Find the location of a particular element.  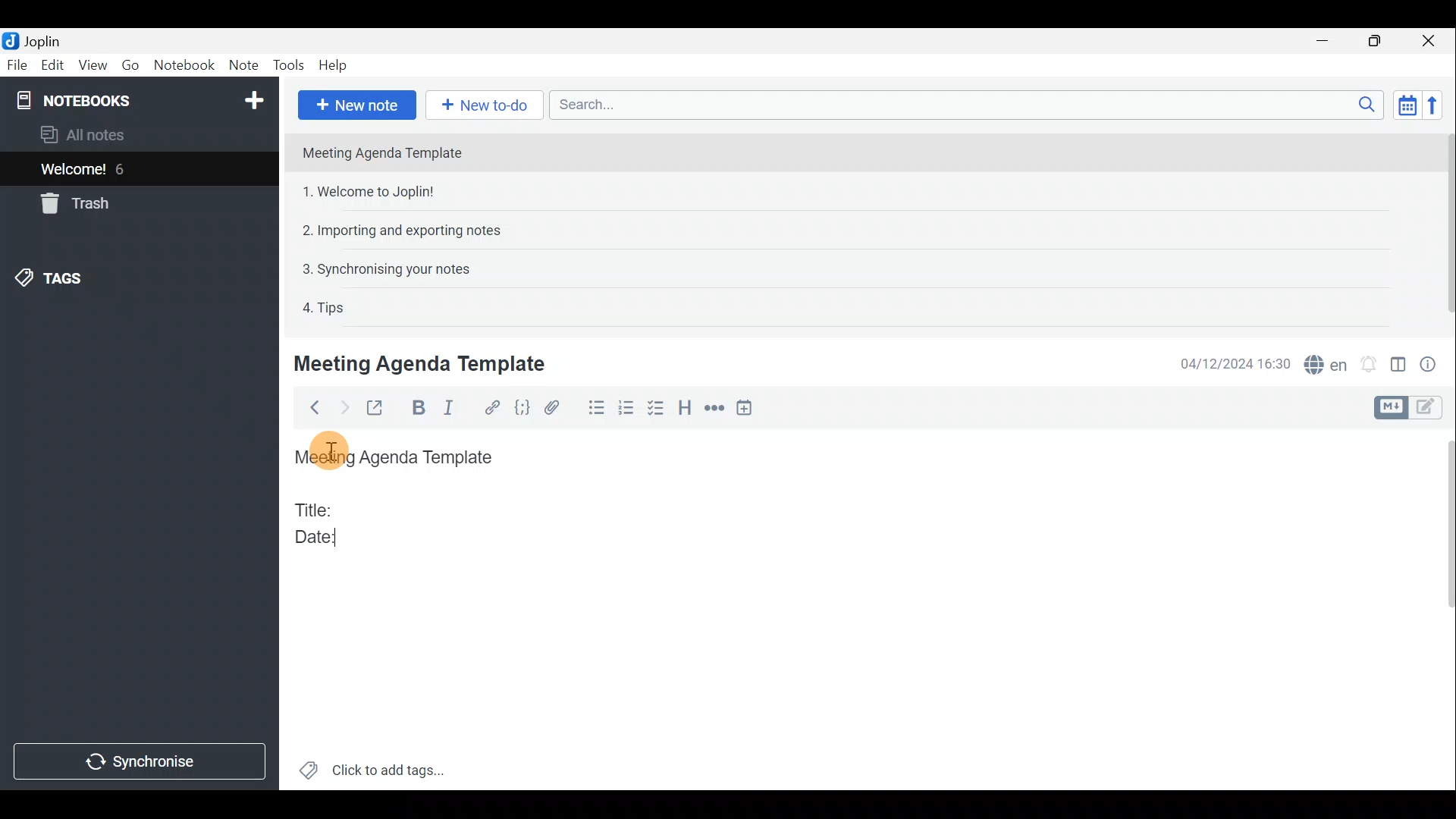

Forward is located at coordinates (342, 407).